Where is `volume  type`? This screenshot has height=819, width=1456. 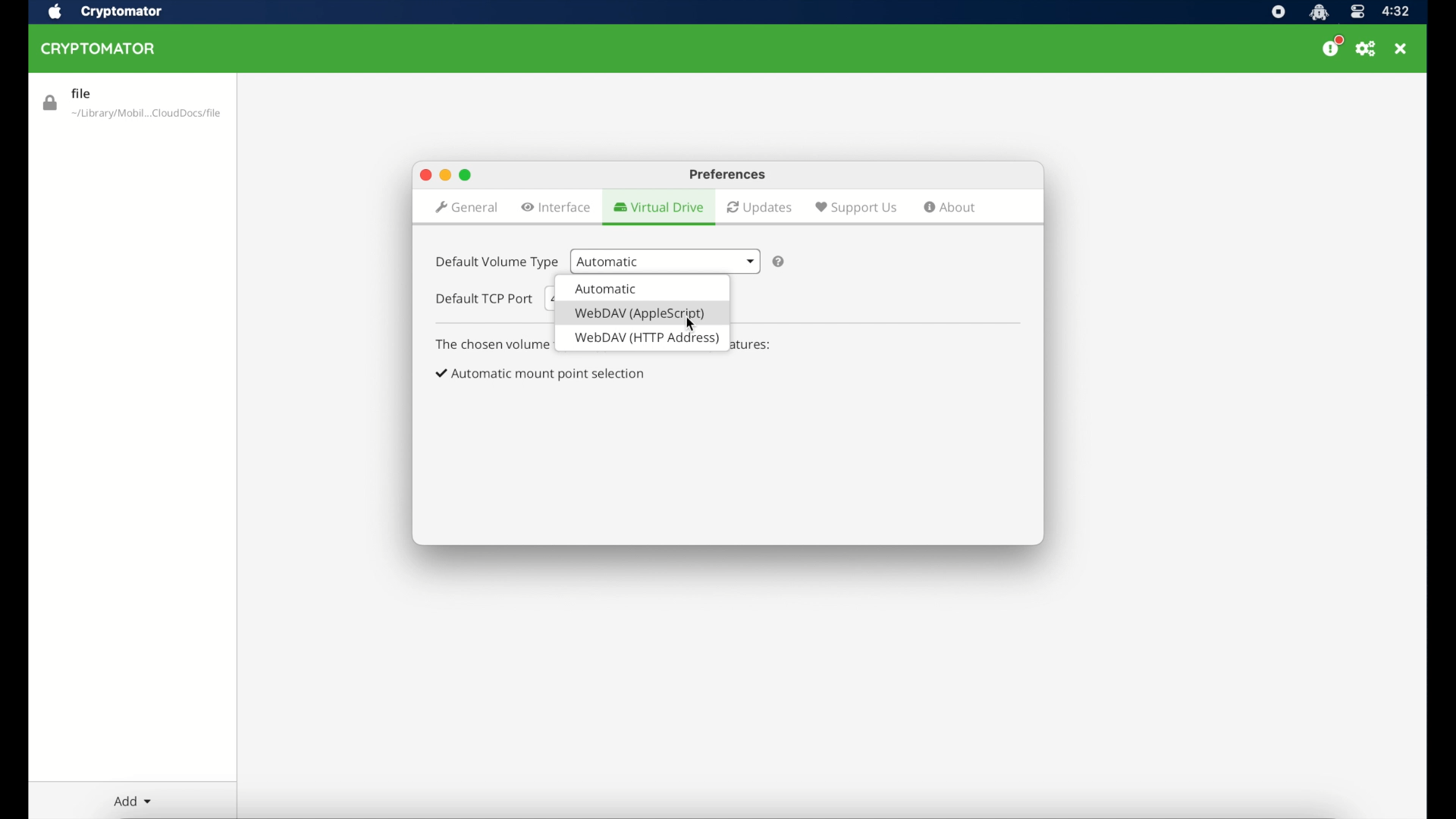 volume  type is located at coordinates (605, 289).